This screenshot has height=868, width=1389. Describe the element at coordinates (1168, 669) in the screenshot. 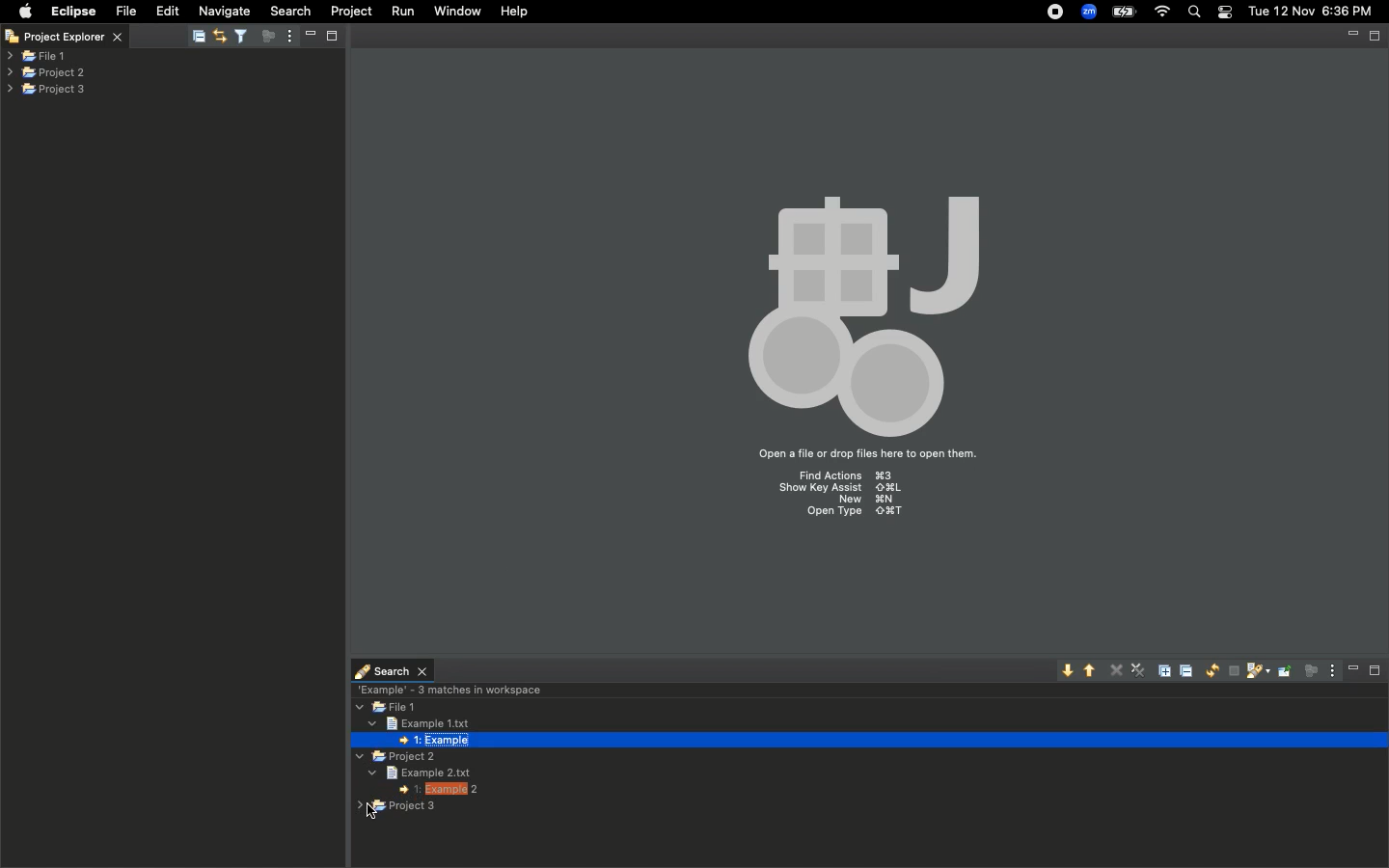

I see `Expand all` at that location.